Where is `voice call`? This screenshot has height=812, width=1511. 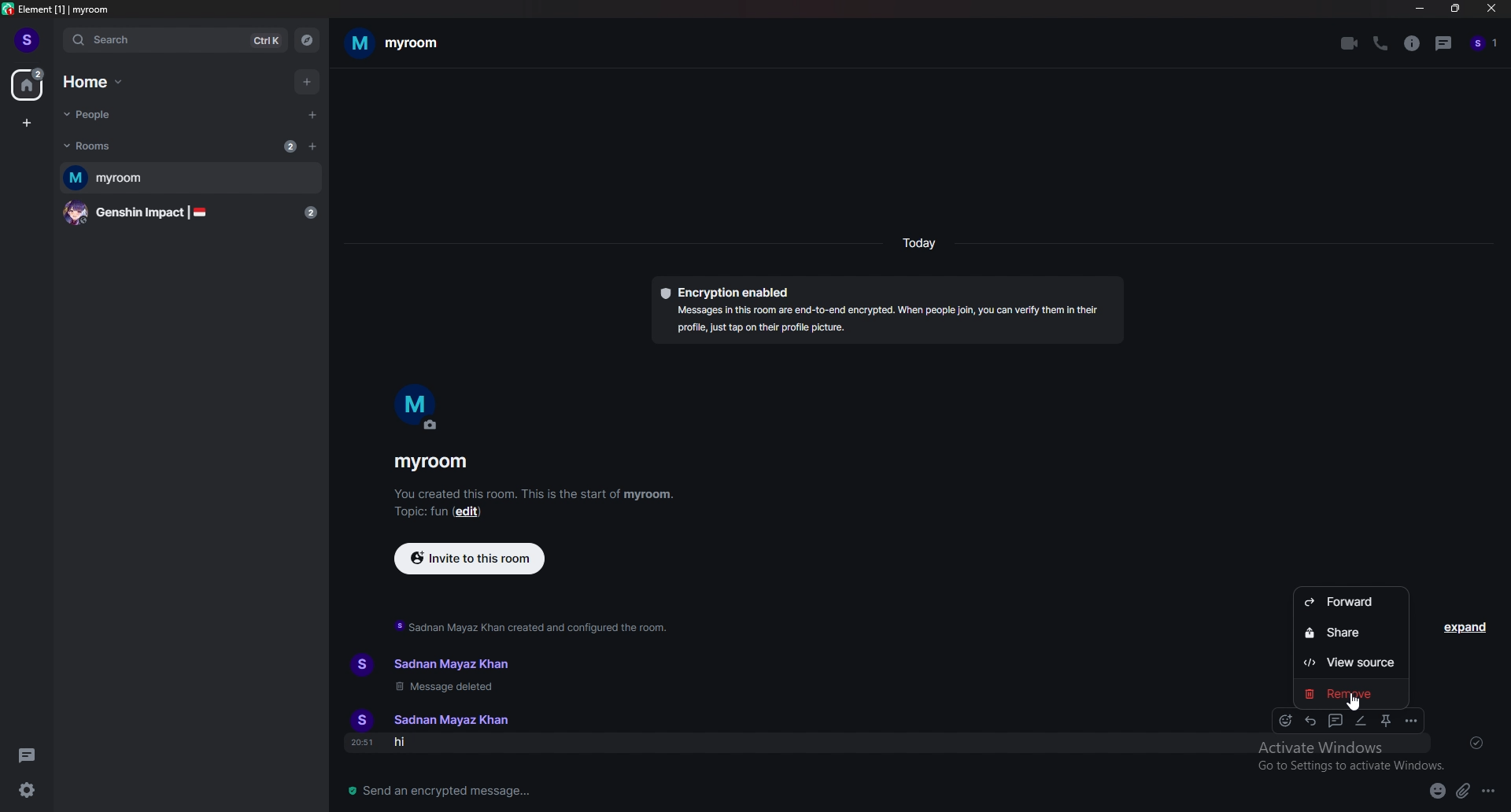 voice call is located at coordinates (1383, 43).